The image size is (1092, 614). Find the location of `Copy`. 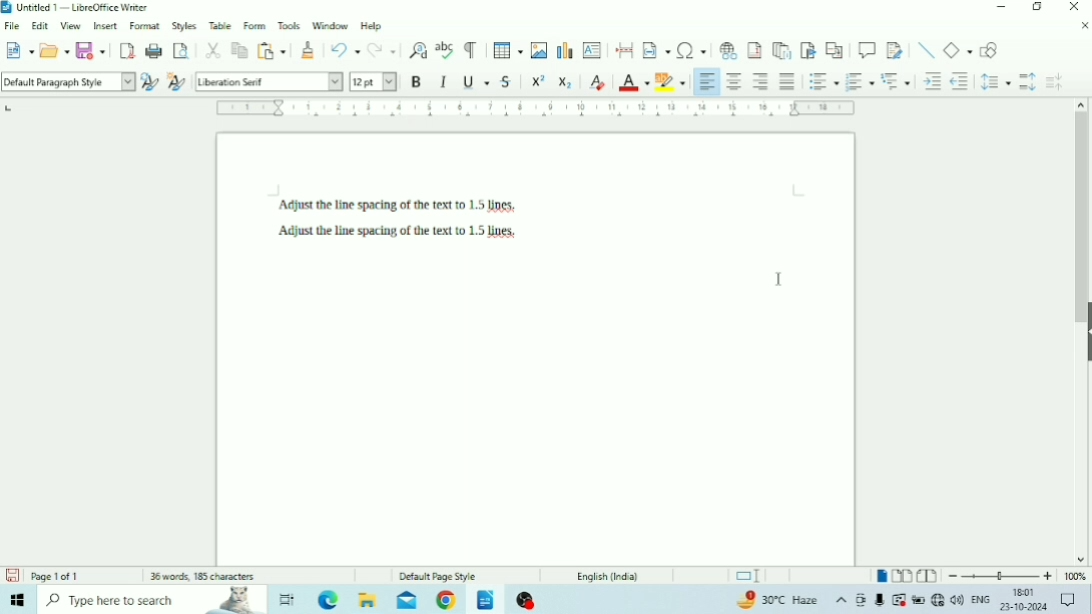

Copy is located at coordinates (239, 49).